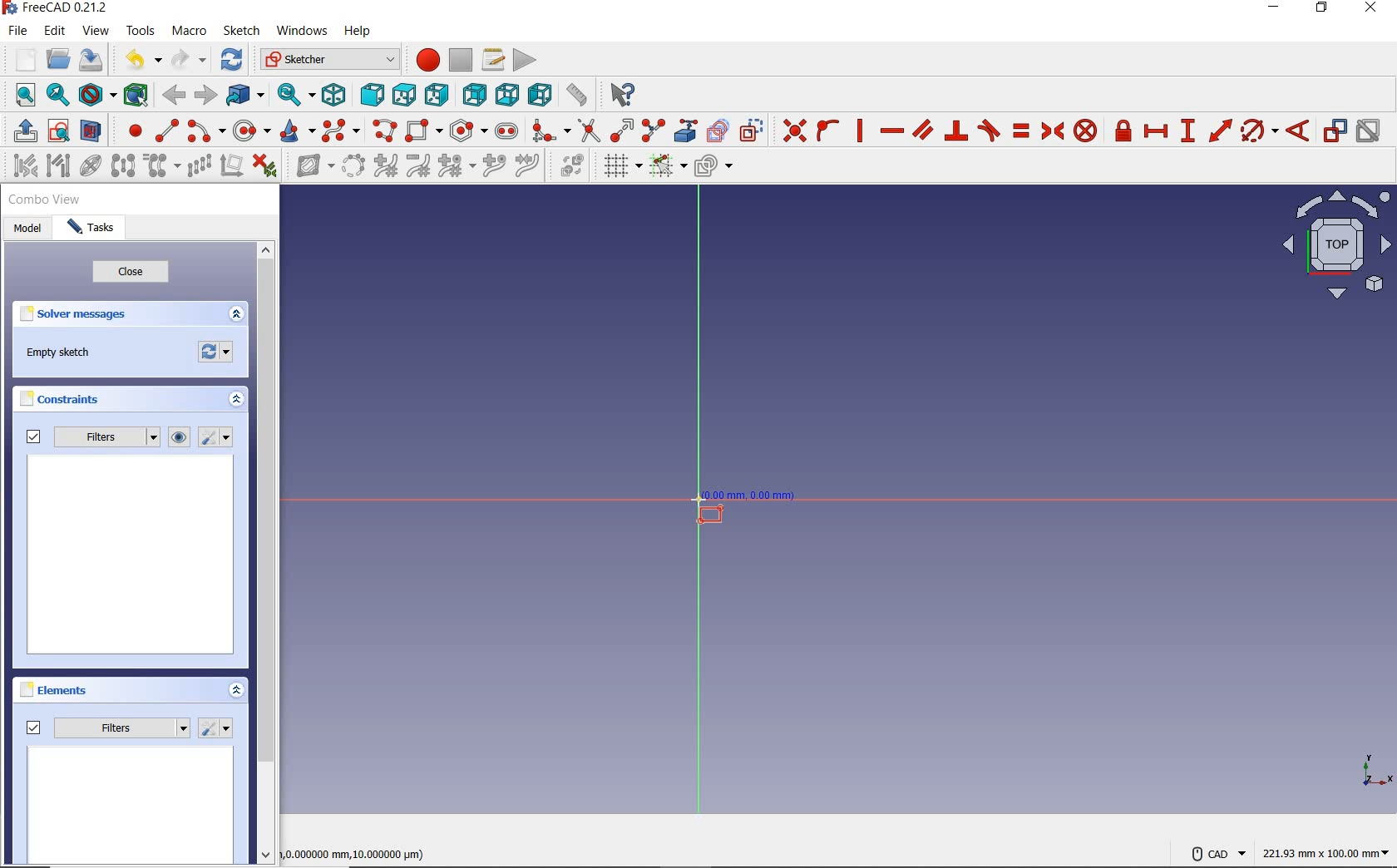 This screenshot has width=1397, height=868. What do you see at coordinates (131, 274) in the screenshot?
I see `close` at bounding box center [131, 274].